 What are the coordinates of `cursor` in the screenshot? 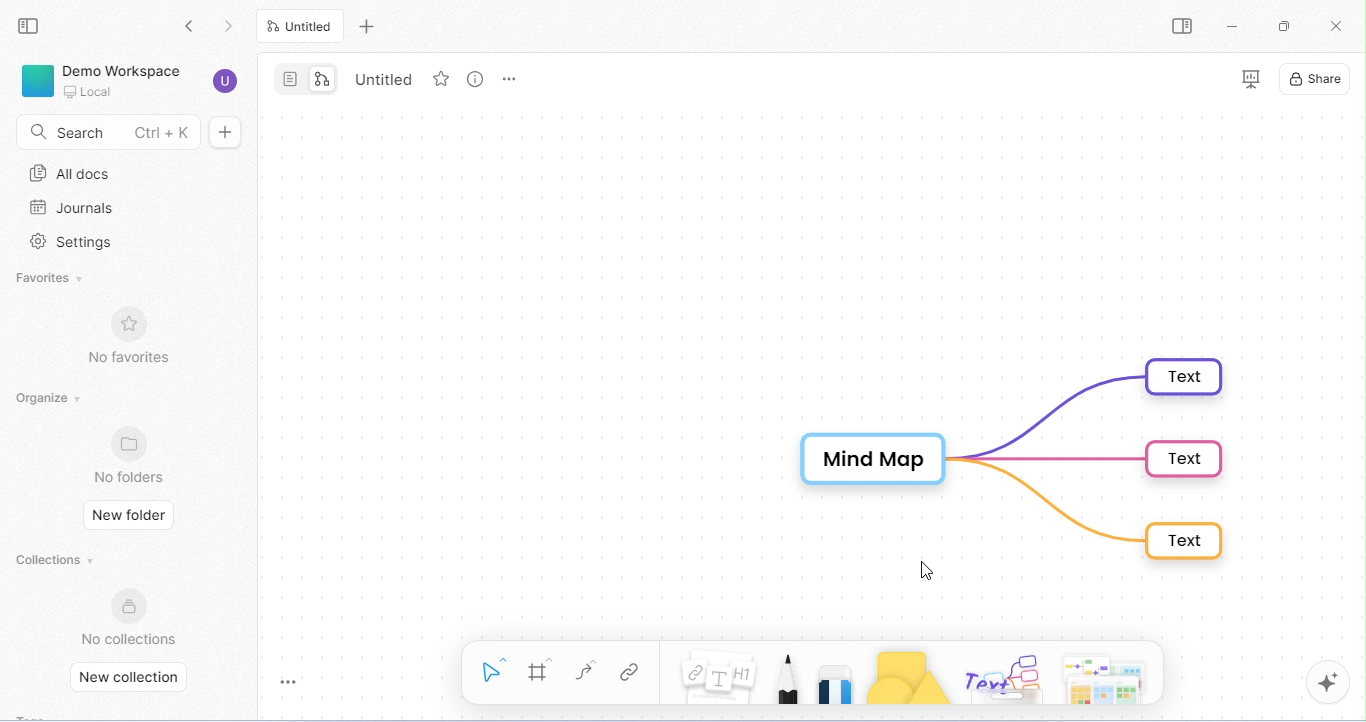 It's located at (929, 572).